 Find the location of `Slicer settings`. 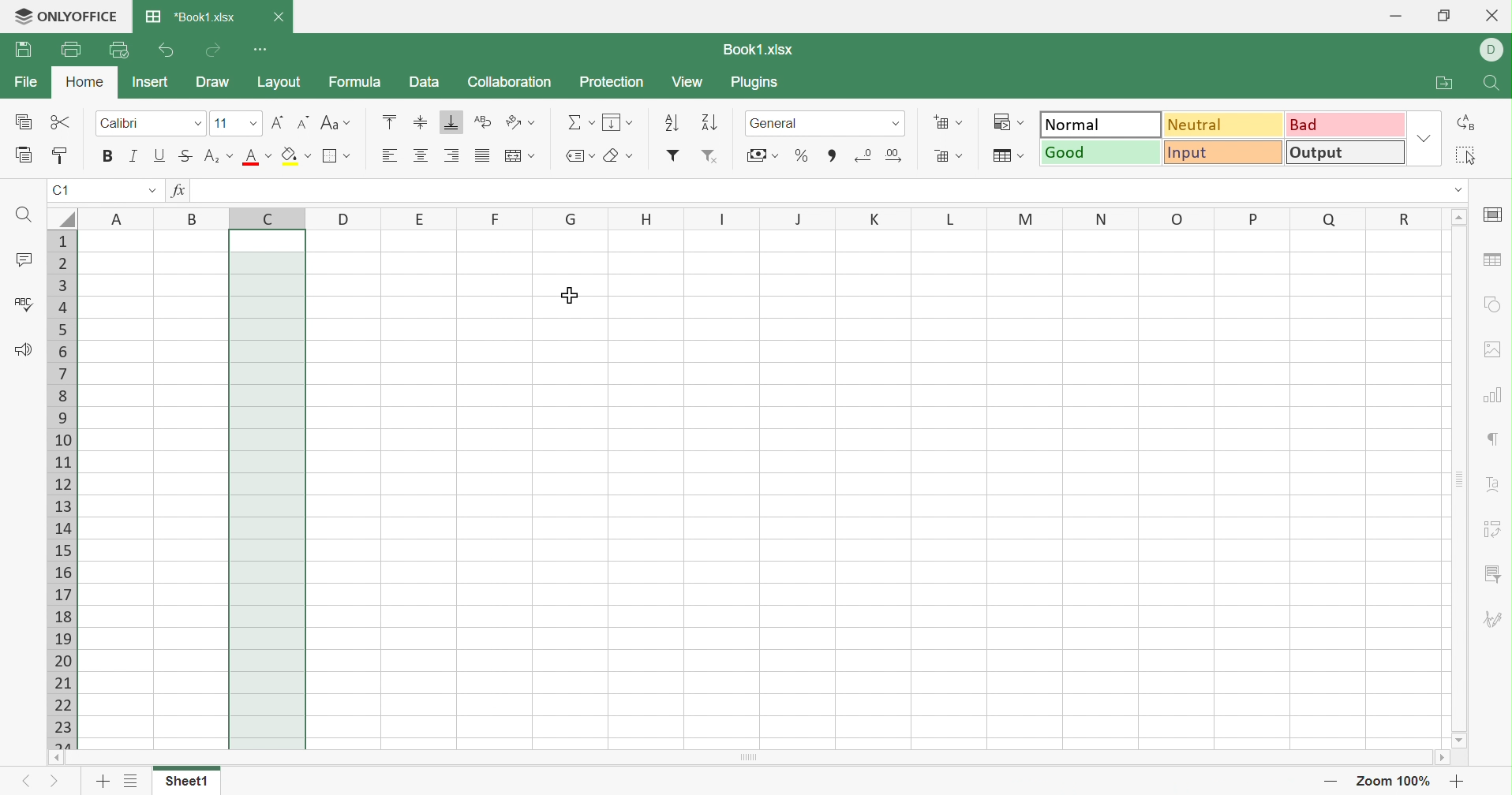

Slicer settings is located at coordinates (1491, 574).